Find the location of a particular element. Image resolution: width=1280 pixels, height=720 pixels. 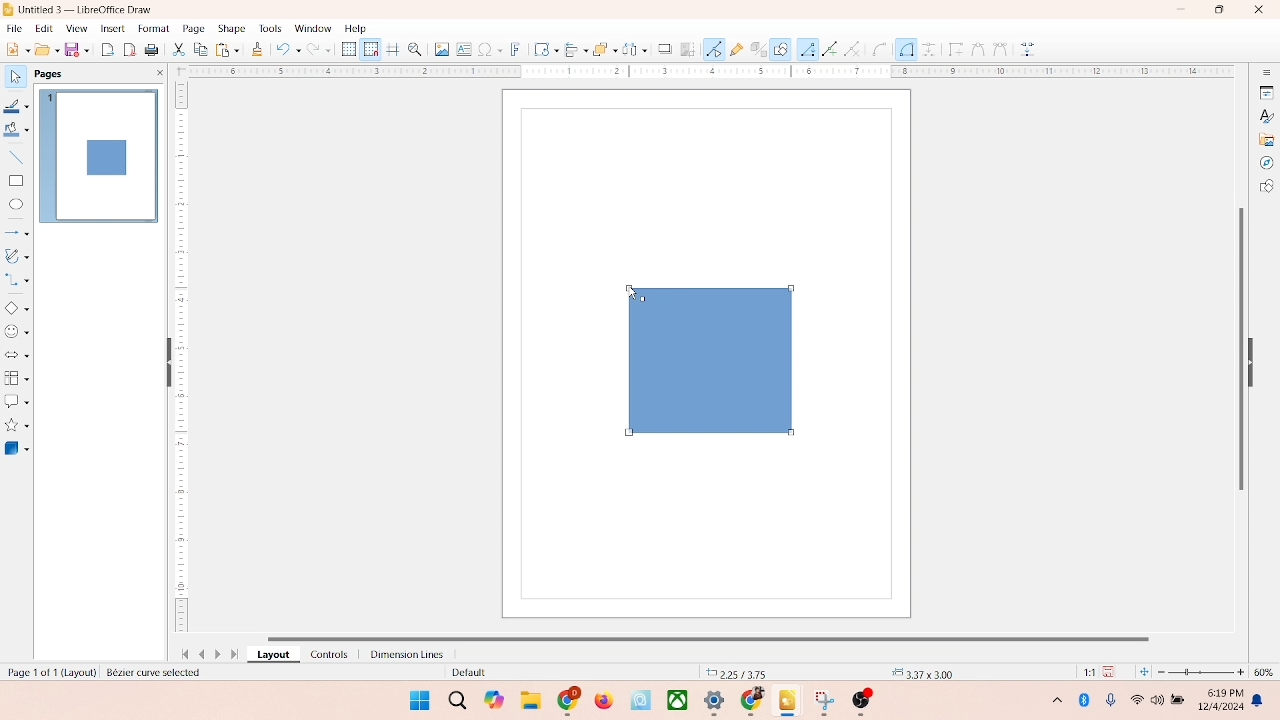

arrange is located at coordinates (599, 47).